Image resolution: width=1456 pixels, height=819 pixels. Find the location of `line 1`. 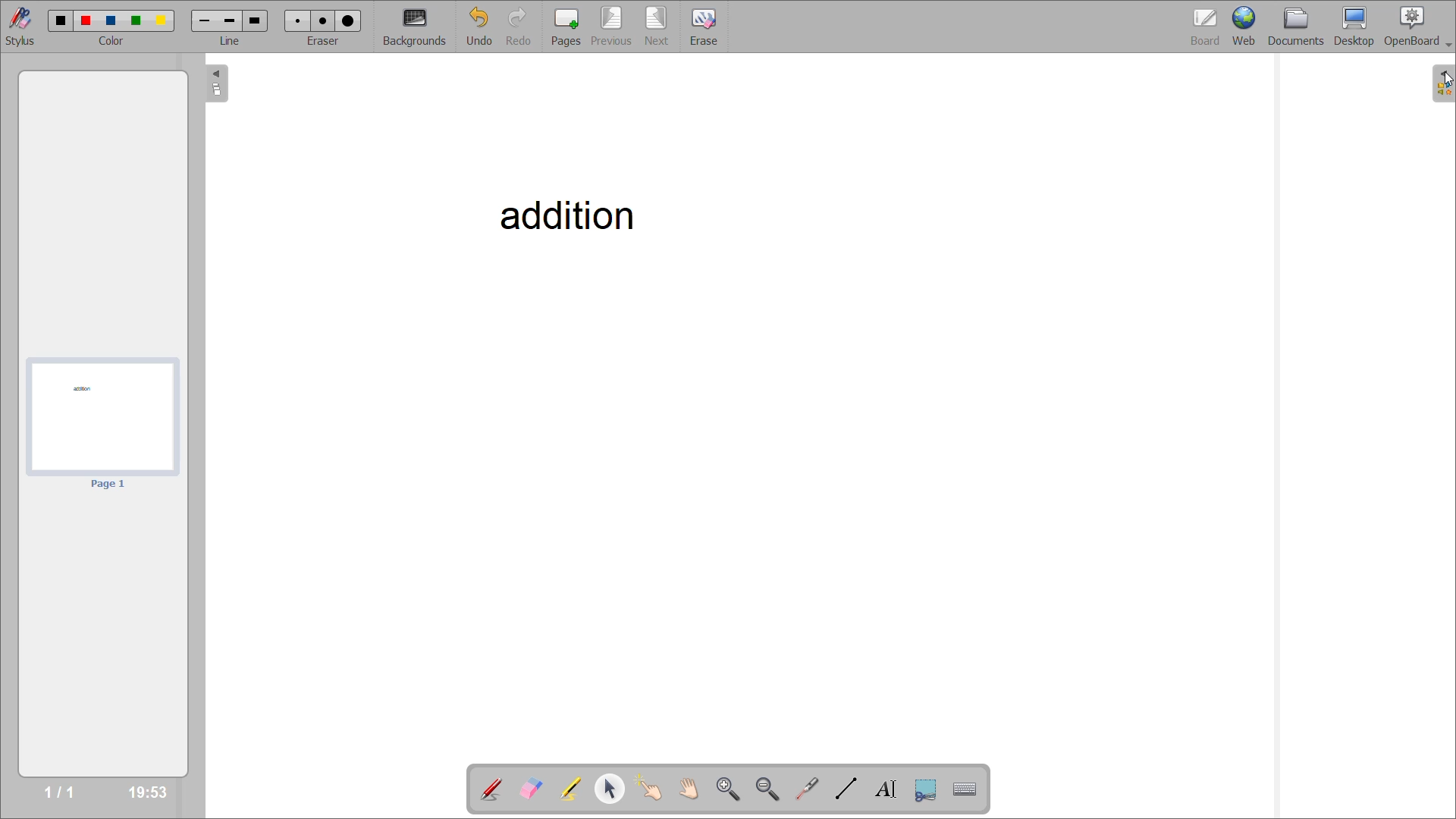

line 1 is located at coordinates (205, 21).